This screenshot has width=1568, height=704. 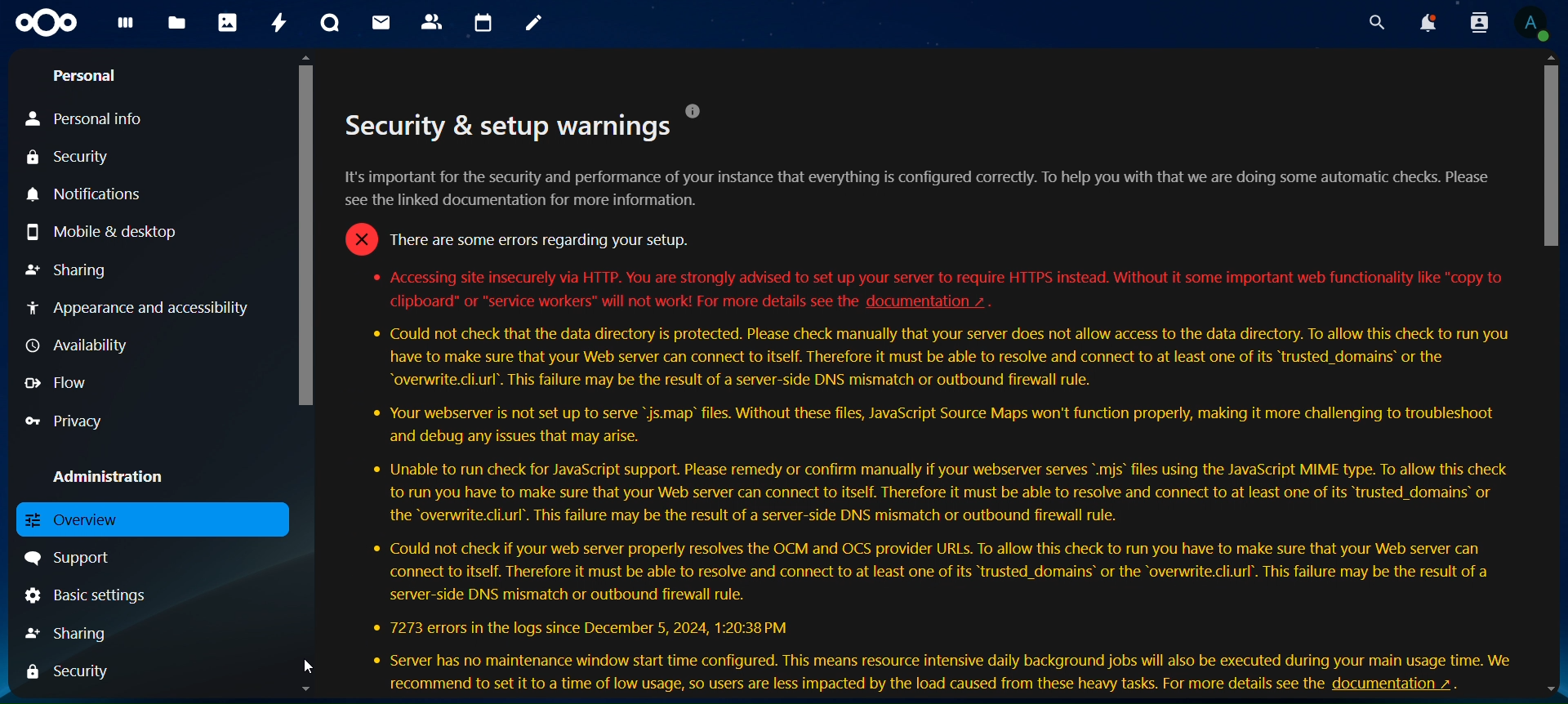 I want to click on personal info, so click(x=92, y=116).